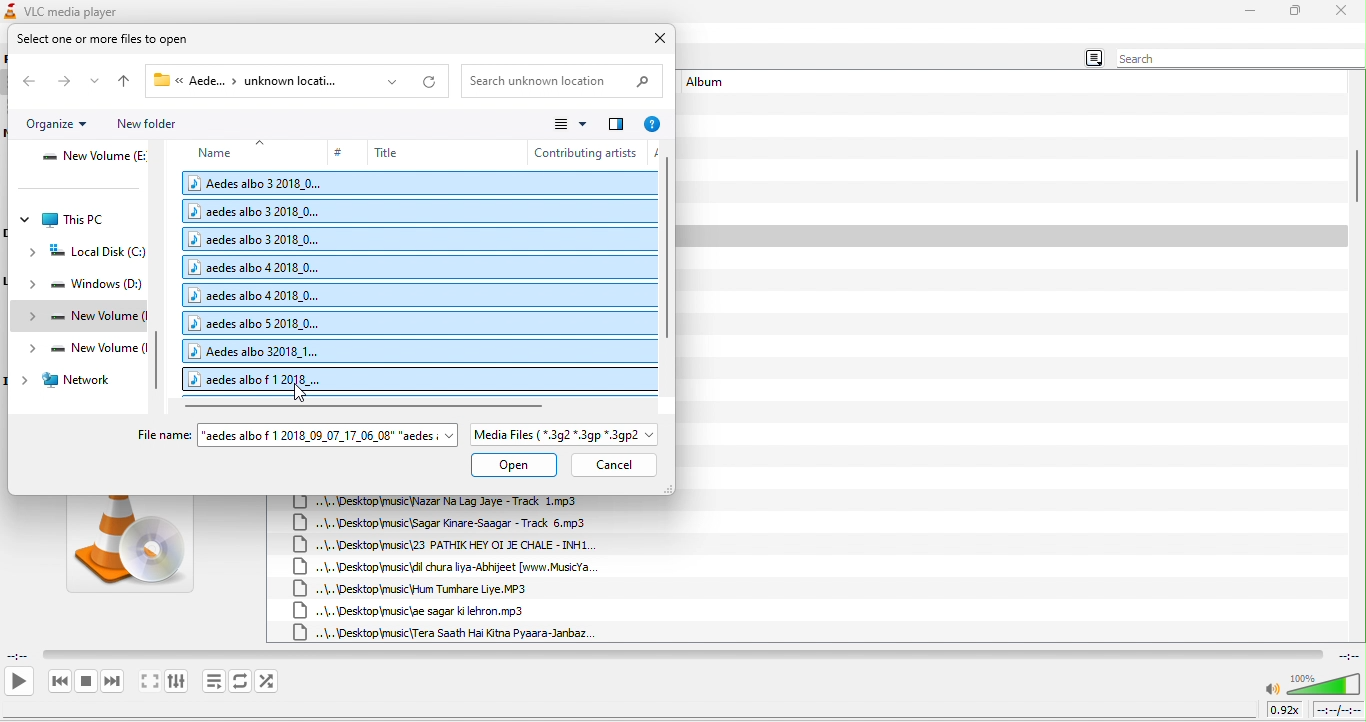 The height and width of the screenshot is (722, 1366). What do you see at coordinates (341, 153) in the screenshot?
I see `#` at bounding box center [341, 153].